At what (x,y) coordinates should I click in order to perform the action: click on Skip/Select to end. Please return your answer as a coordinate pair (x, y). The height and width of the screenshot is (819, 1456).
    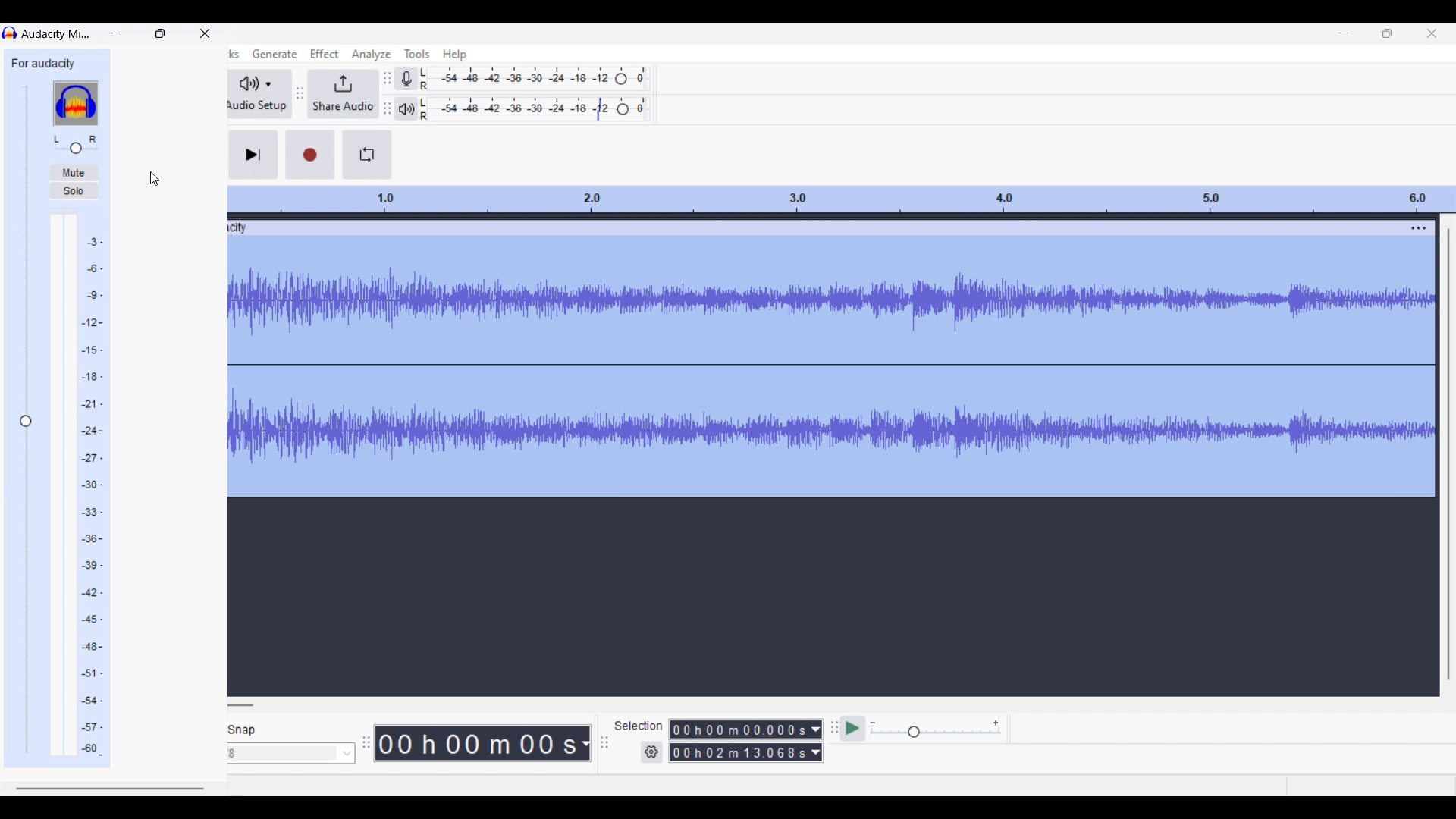
    Looking at the image, I should click on (253, 155).